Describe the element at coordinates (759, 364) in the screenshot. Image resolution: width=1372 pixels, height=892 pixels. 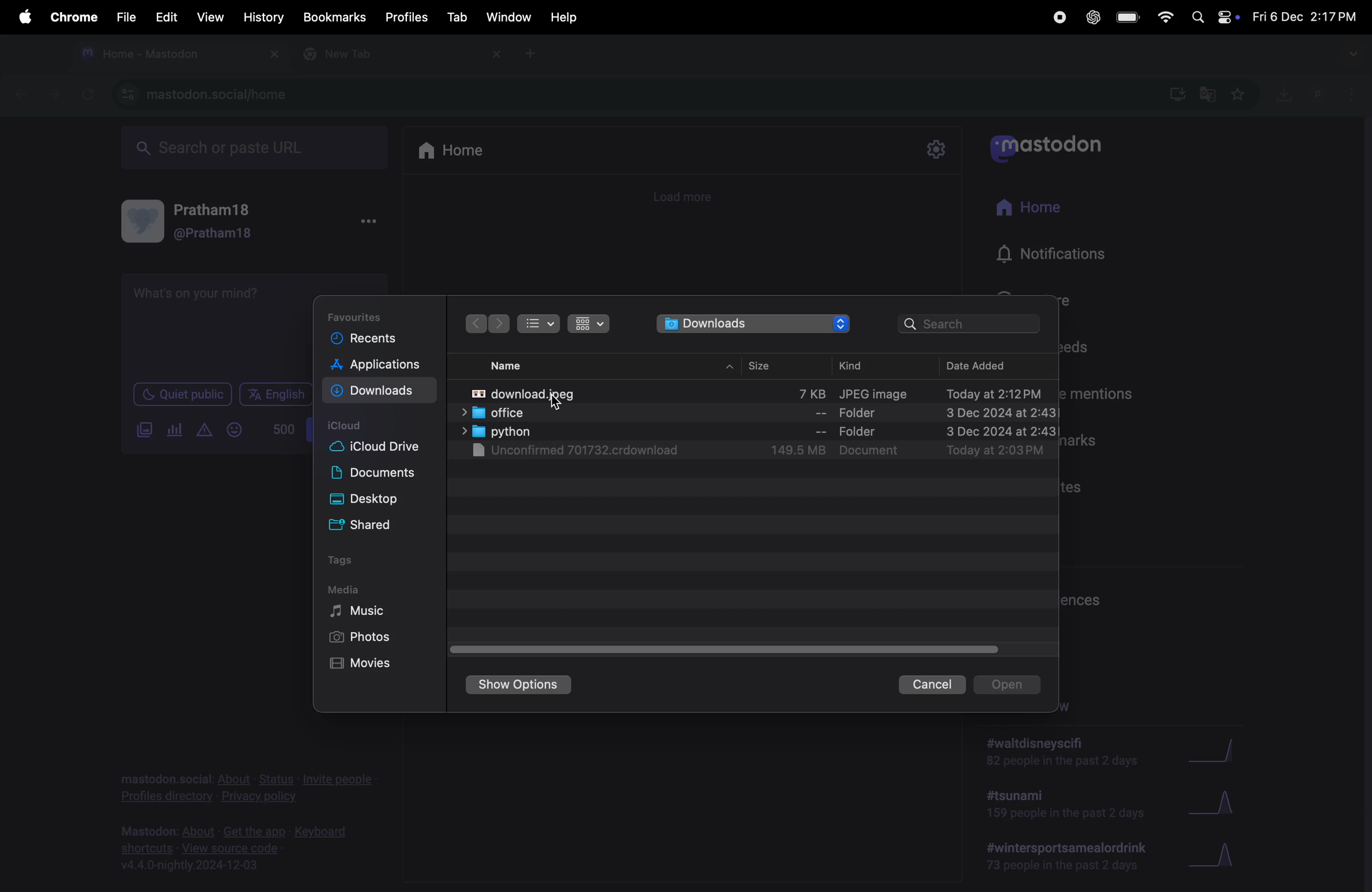
I see `size` at that location.